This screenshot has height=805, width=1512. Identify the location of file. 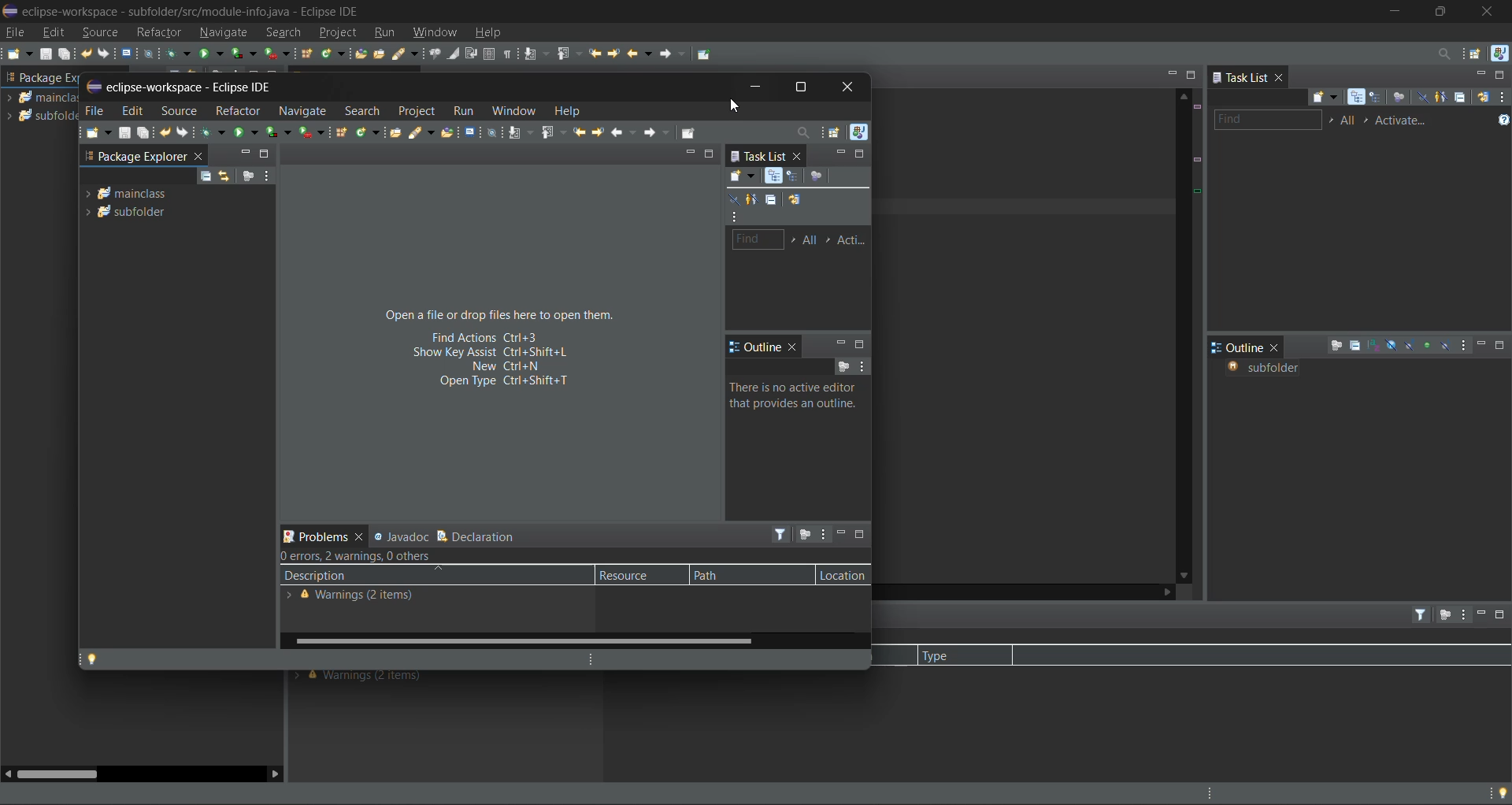
(20, 33).